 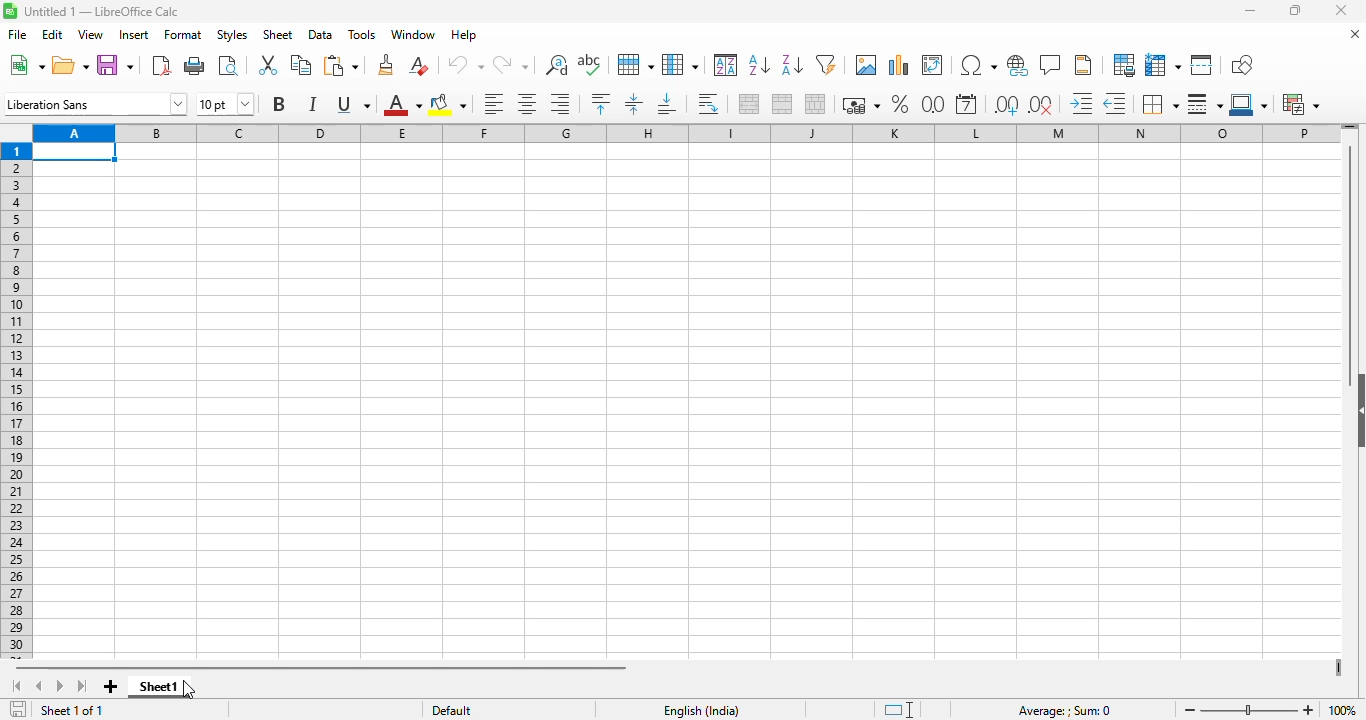 I want to click on columns, so click(x=682, y=133).